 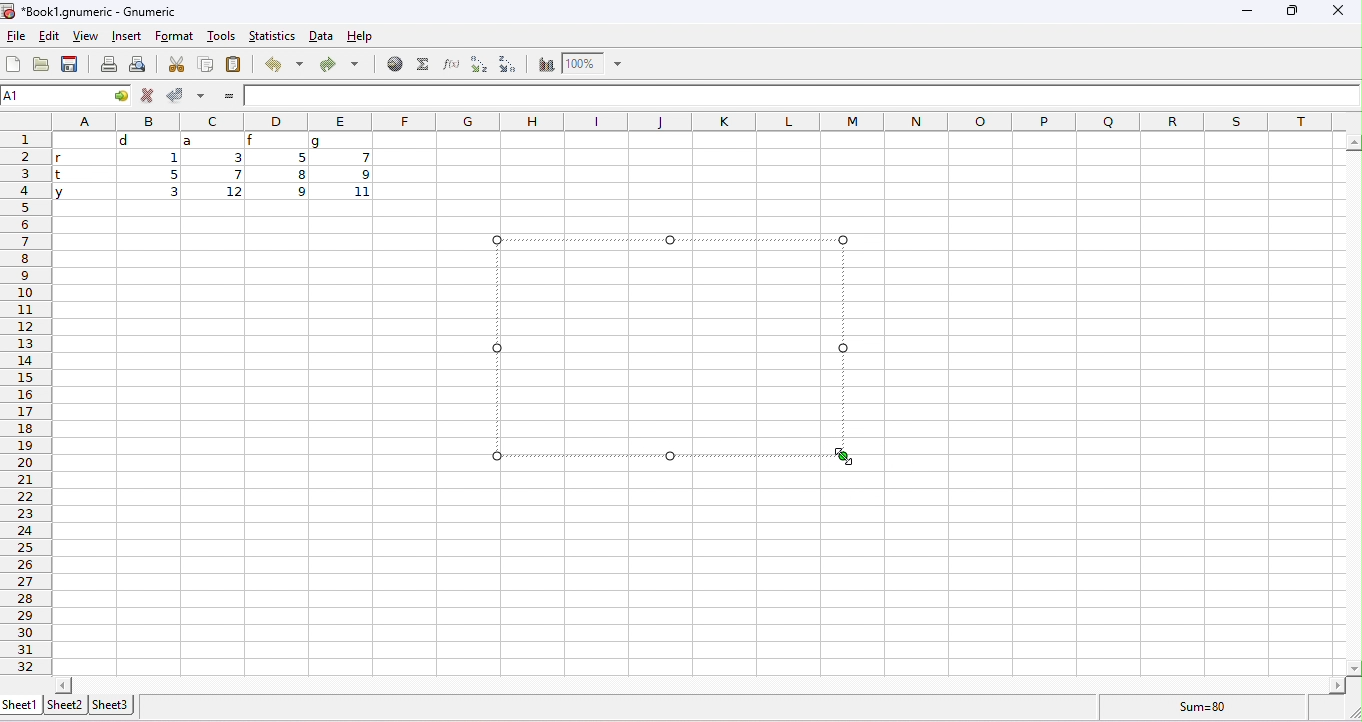 I want to click on row numbers, so click(x=24, y=405).